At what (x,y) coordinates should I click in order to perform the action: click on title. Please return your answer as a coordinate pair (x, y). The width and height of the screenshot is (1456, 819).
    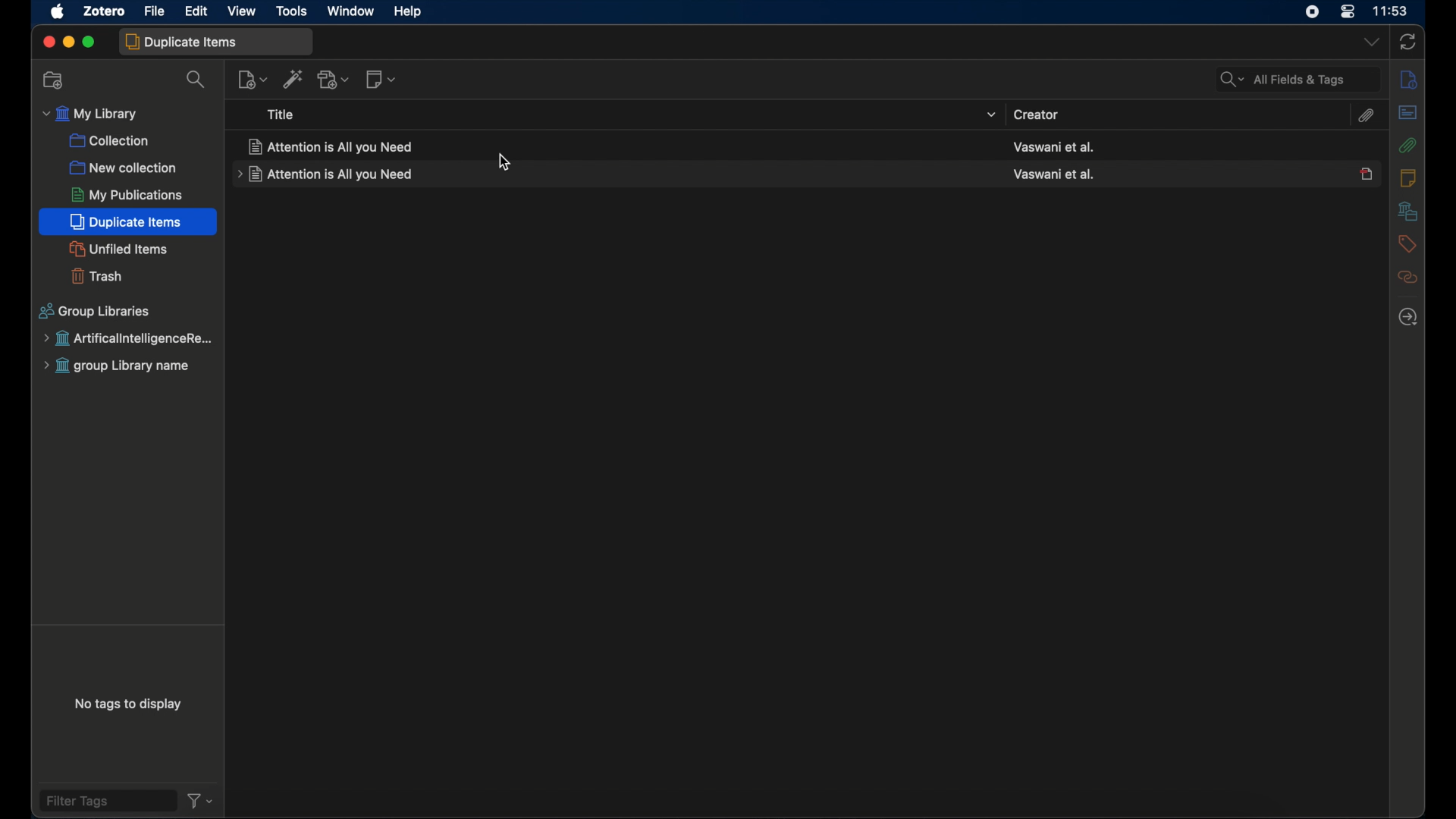
    Looking at the image, I should click on (284, 115).